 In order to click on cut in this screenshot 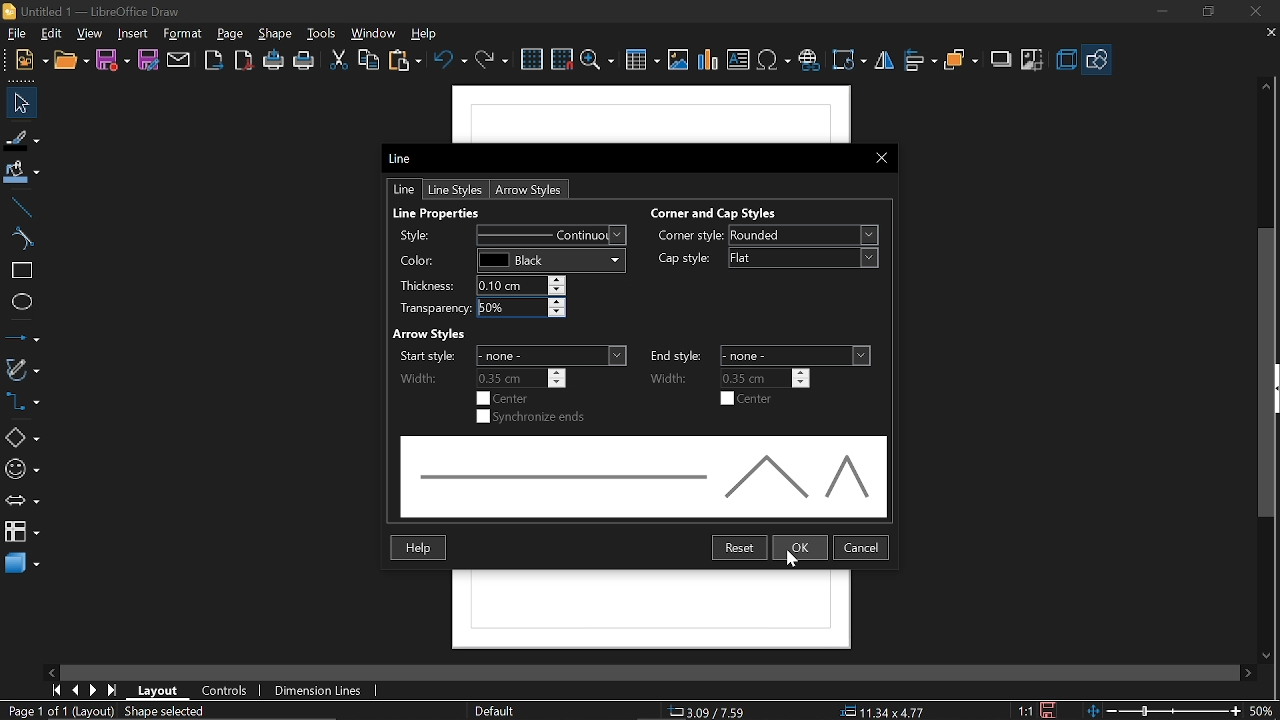, I will do `click(339, 62)`.